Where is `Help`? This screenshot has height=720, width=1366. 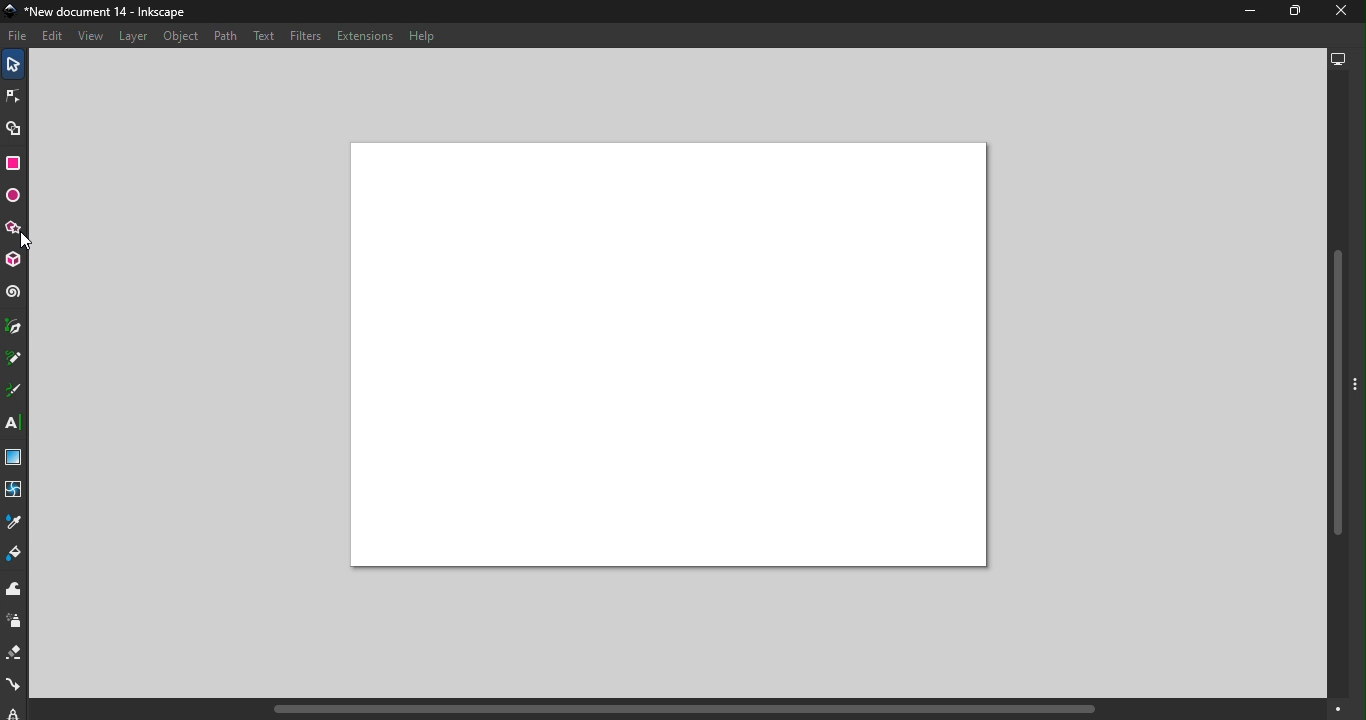
Help is located at coordinates (428, 34).